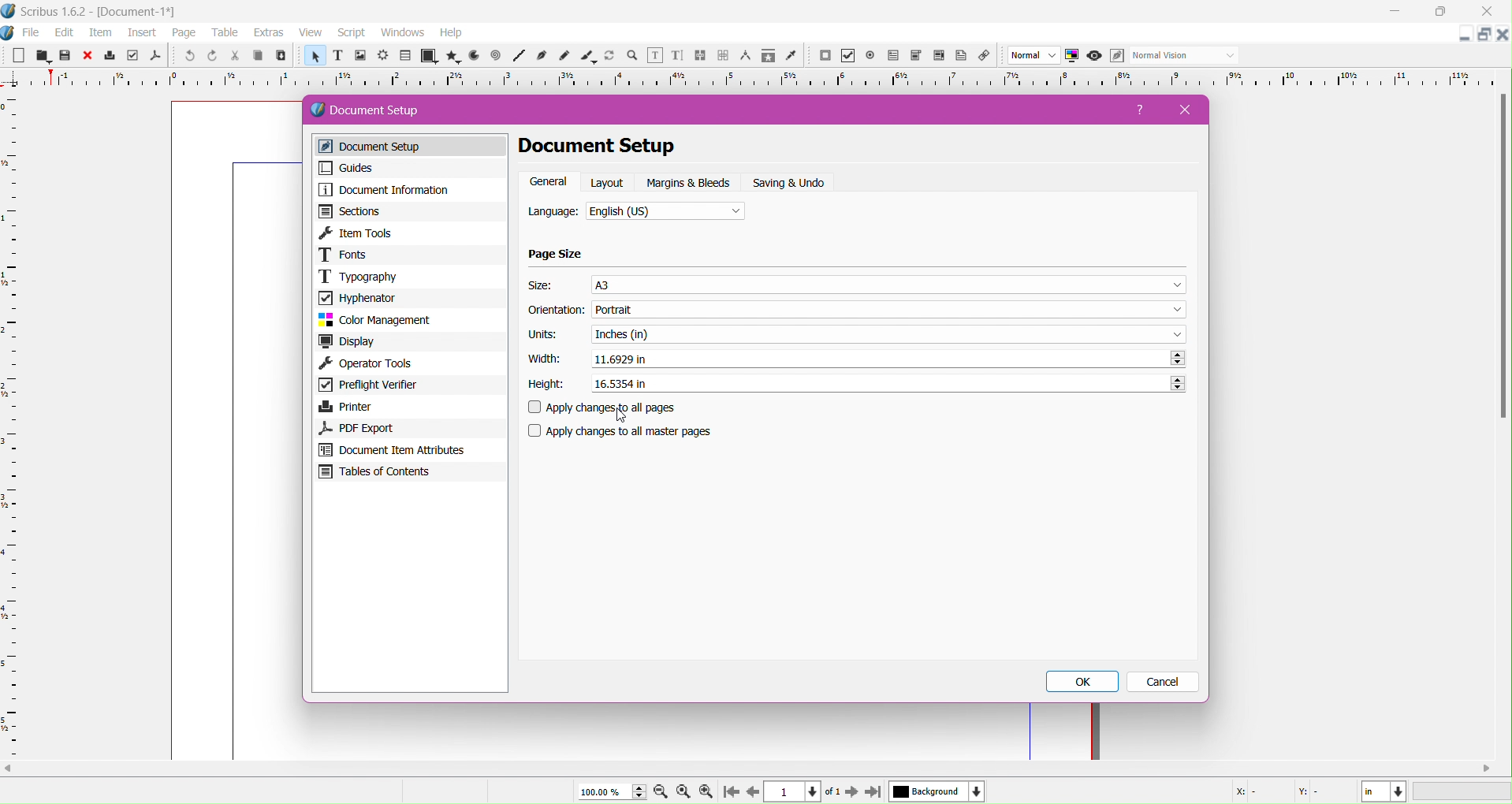 The image size is (1512, 804). What do you see at coordinates (566, 57) in the screenshot?
I see `freehand line` at bounding box center [566, 57].